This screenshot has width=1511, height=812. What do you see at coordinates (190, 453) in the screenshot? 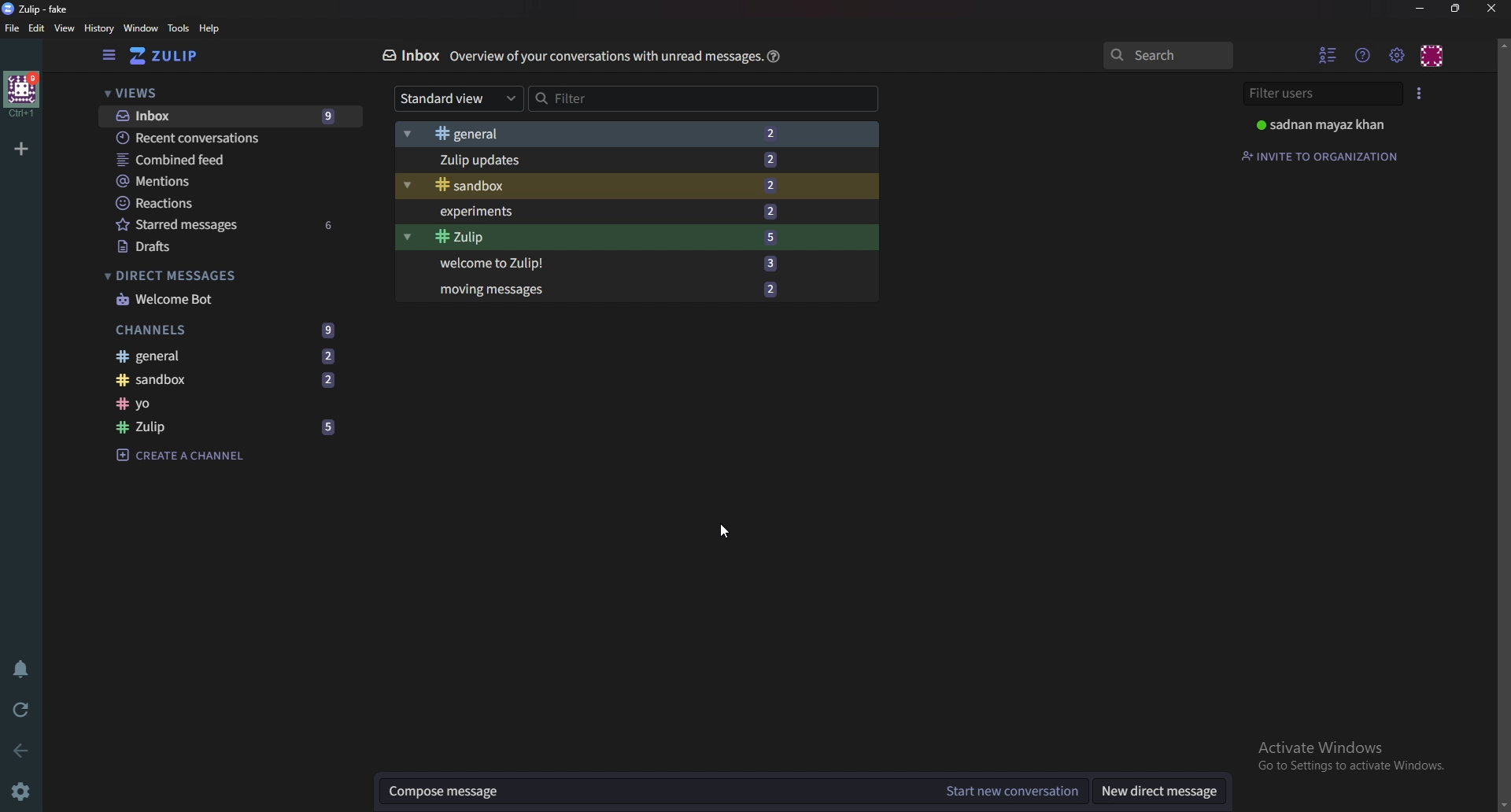
I see `Create a channel` at bounding box center [190, 453].